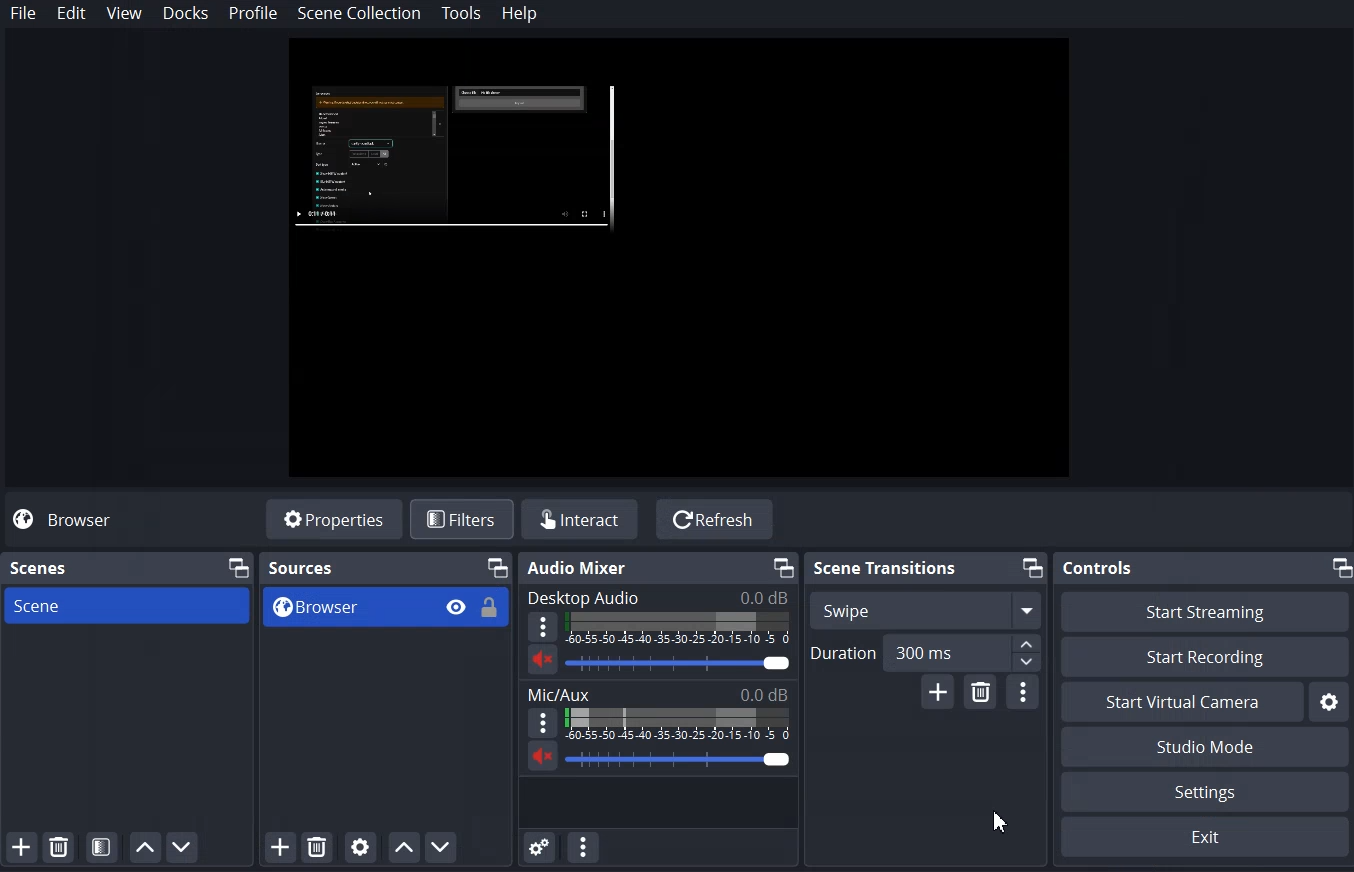 Image resolution: width=1354 pixels, height=872 pixels. I want to click on Add Configurable Transition, so click(937, 692).